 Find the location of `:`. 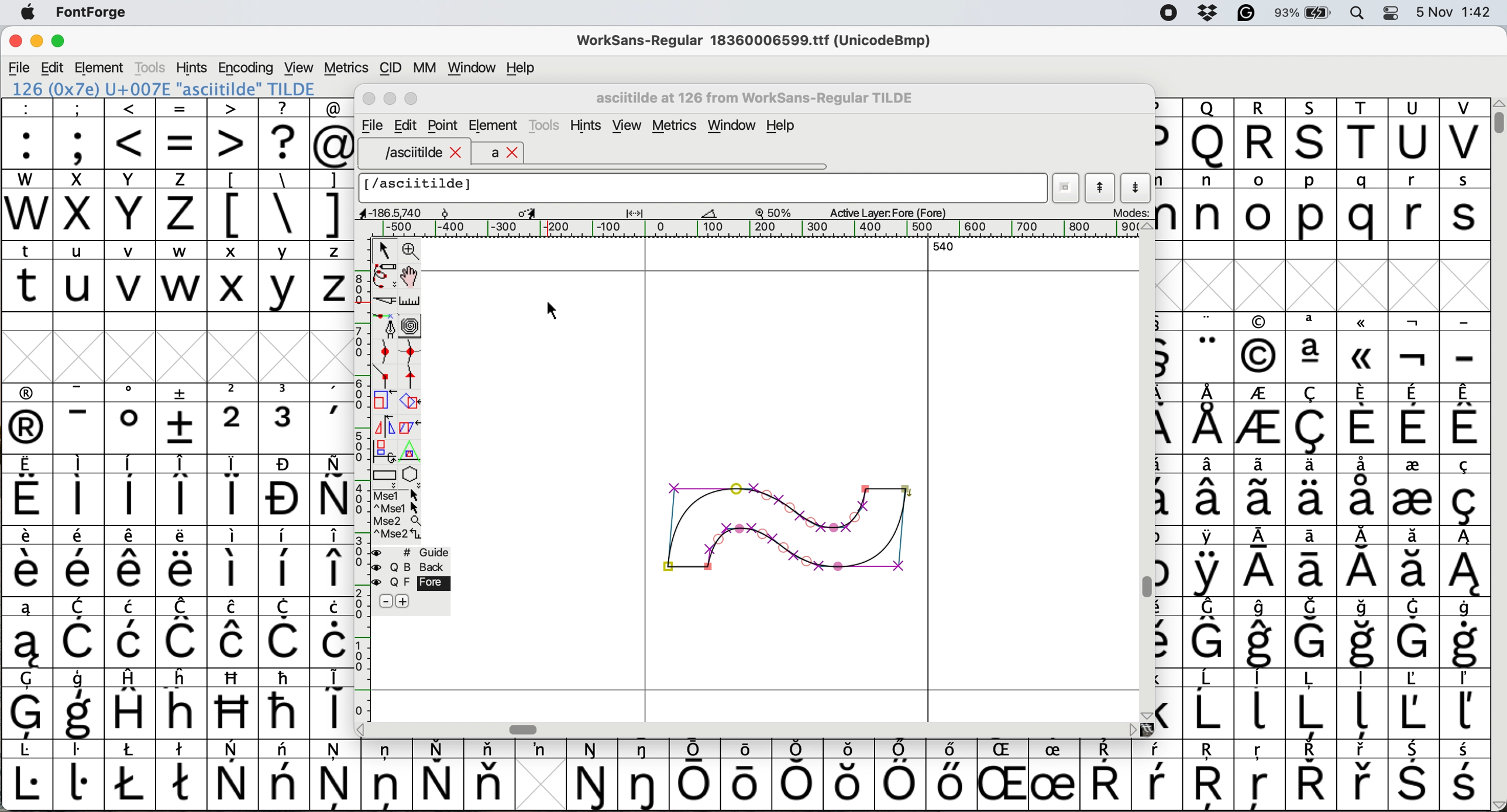

: is located at coordinates (28, 134).